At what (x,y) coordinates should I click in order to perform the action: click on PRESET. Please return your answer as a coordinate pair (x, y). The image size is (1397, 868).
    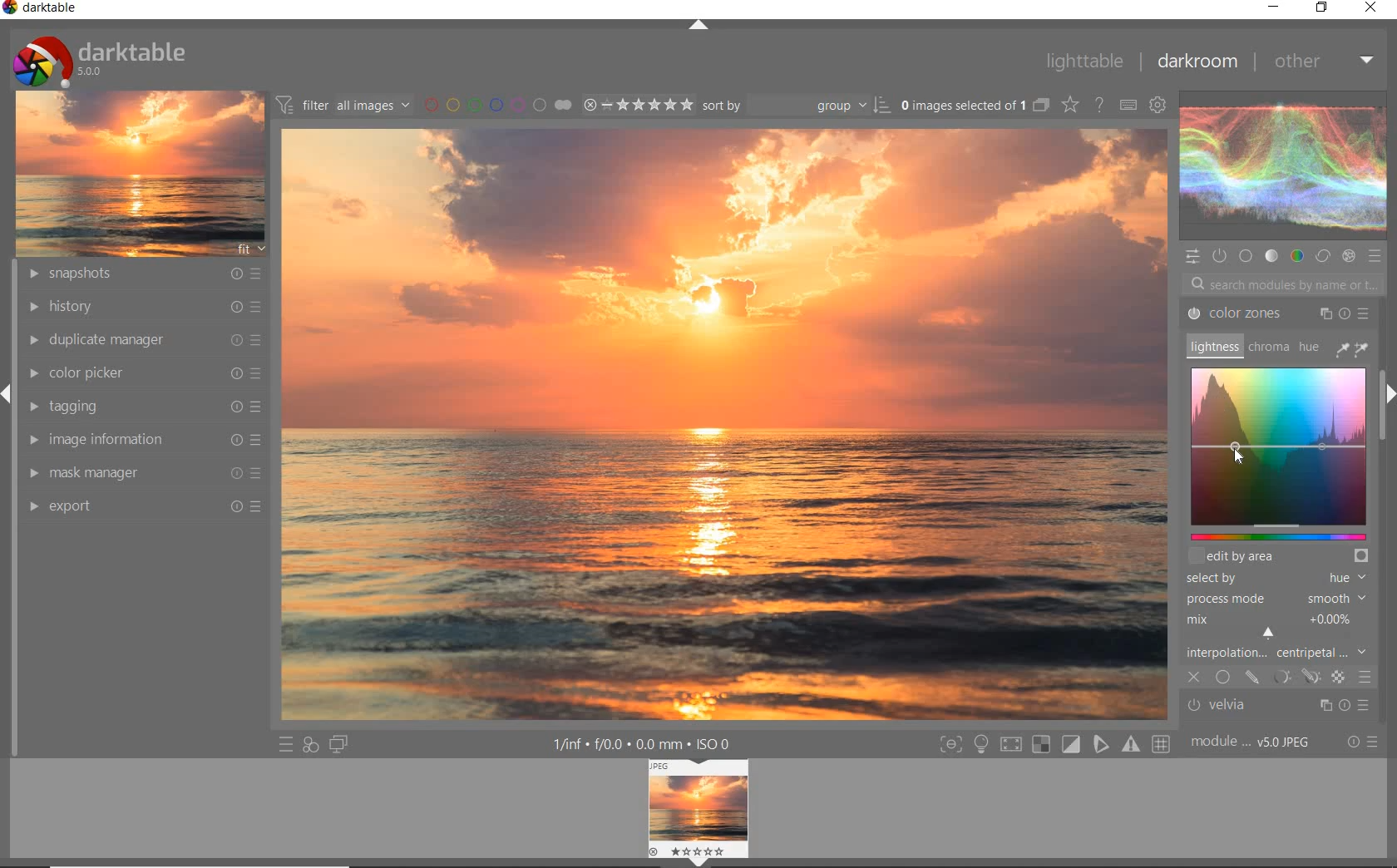
    Looking at the image, I should click on (1378, 260).